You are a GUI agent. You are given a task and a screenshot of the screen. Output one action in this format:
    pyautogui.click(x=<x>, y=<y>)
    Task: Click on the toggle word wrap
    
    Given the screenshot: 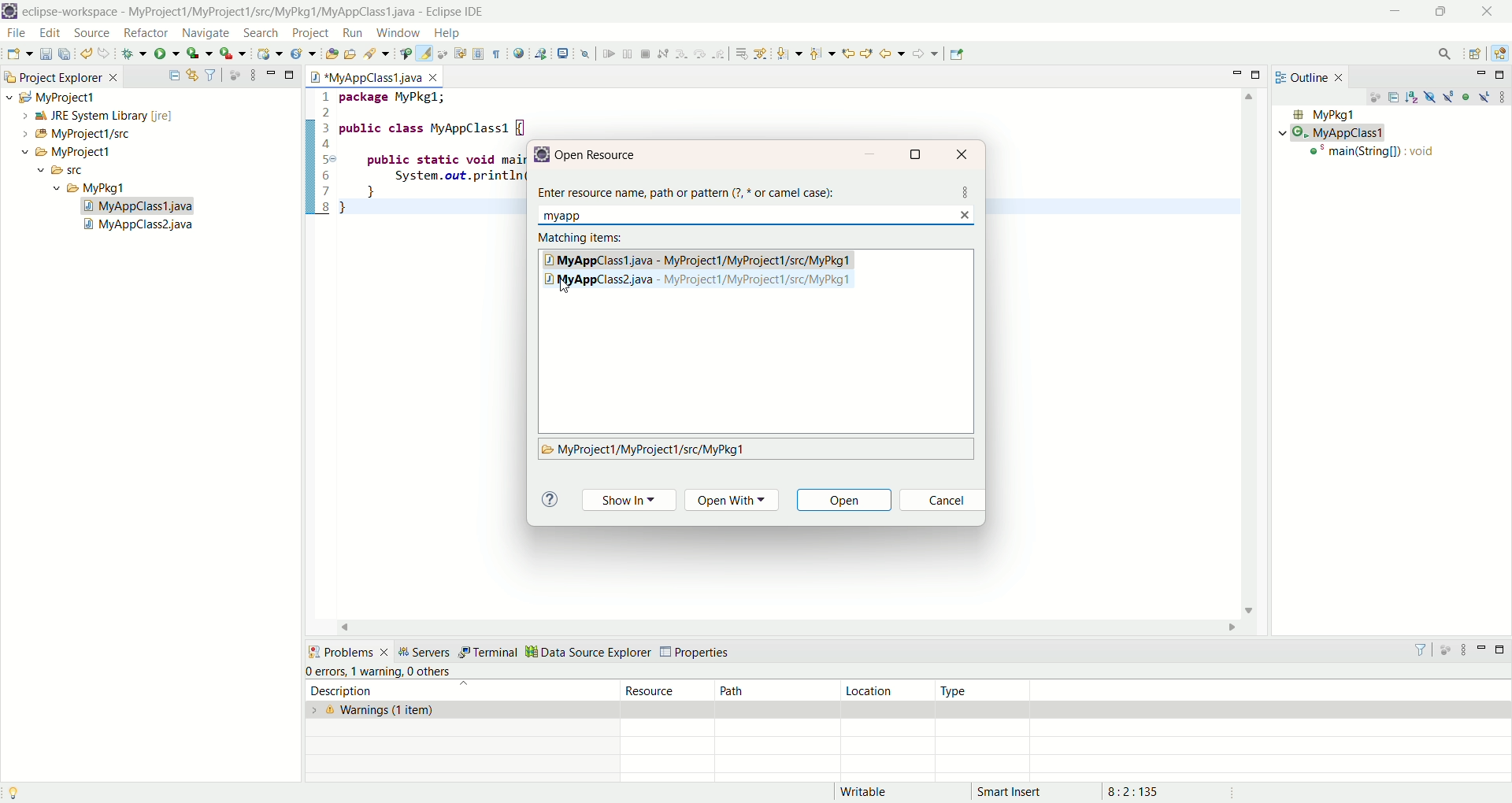 What is the action you would take?
    pyautogui.click(x=466, y=53)
    